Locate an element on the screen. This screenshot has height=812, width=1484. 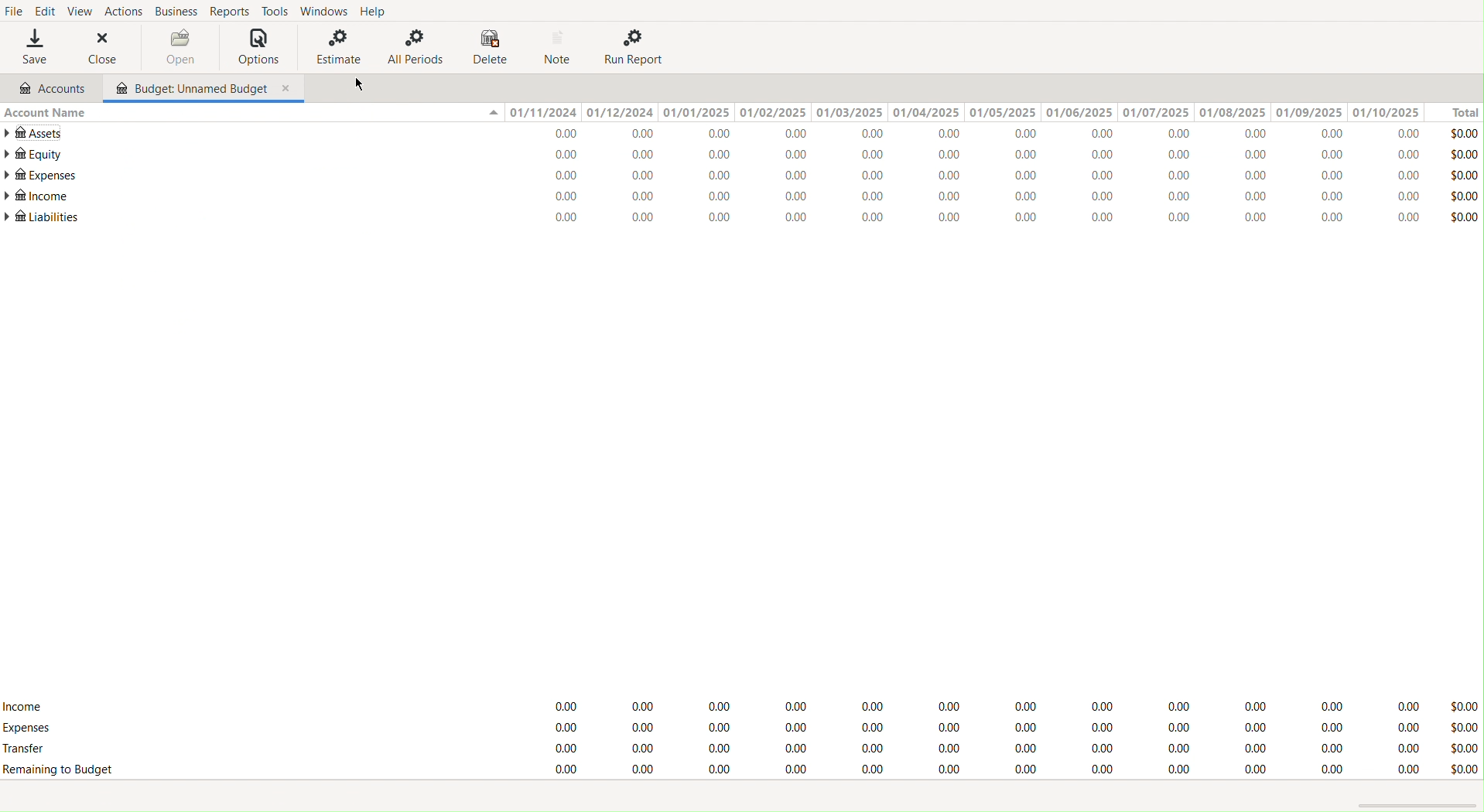
Liabilities is located at coordinates (41, 219).